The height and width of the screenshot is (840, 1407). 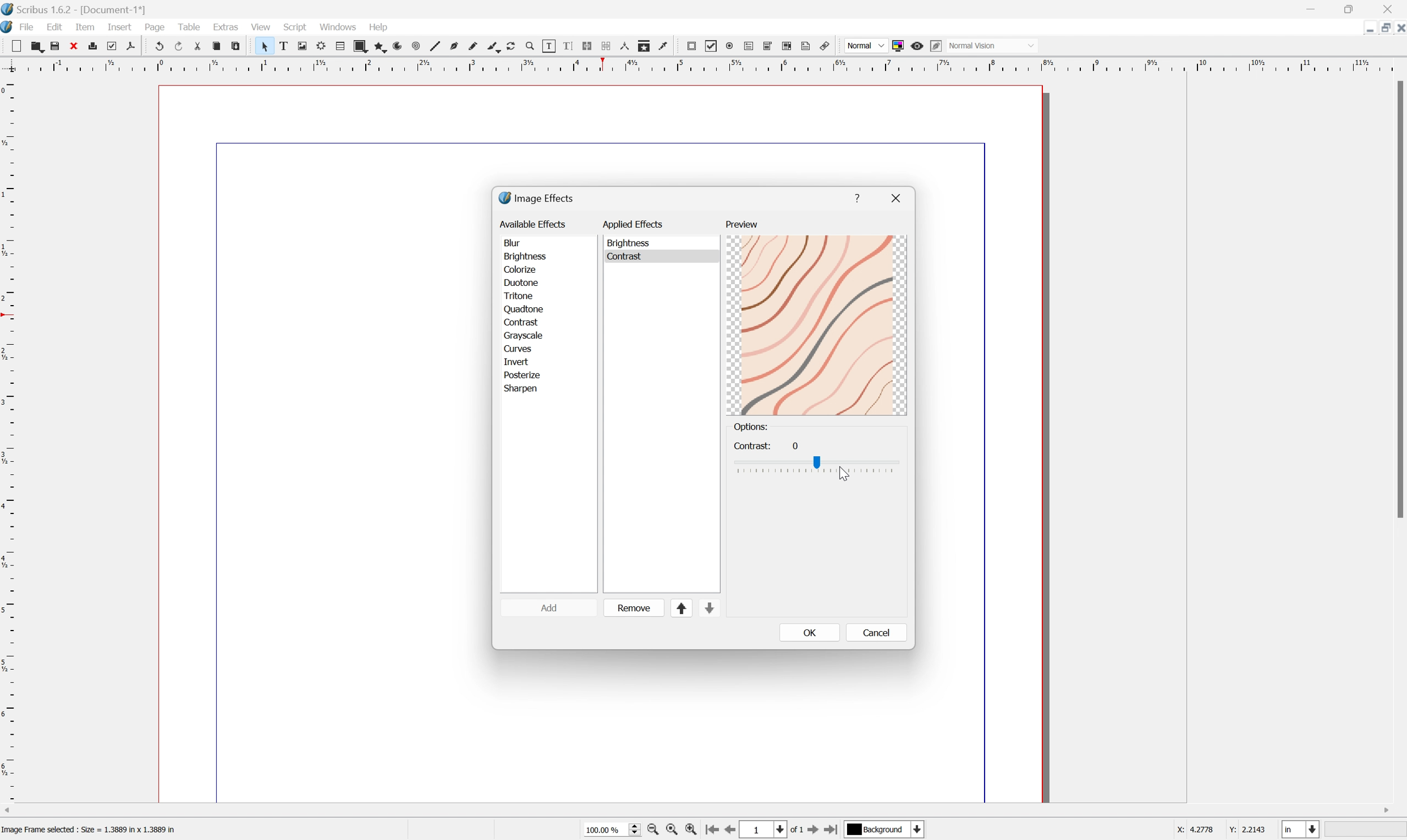 What do you see at coordinates (733, 830) in the screenshot?
I see `Previous Page` at bounding box center [733, 830].